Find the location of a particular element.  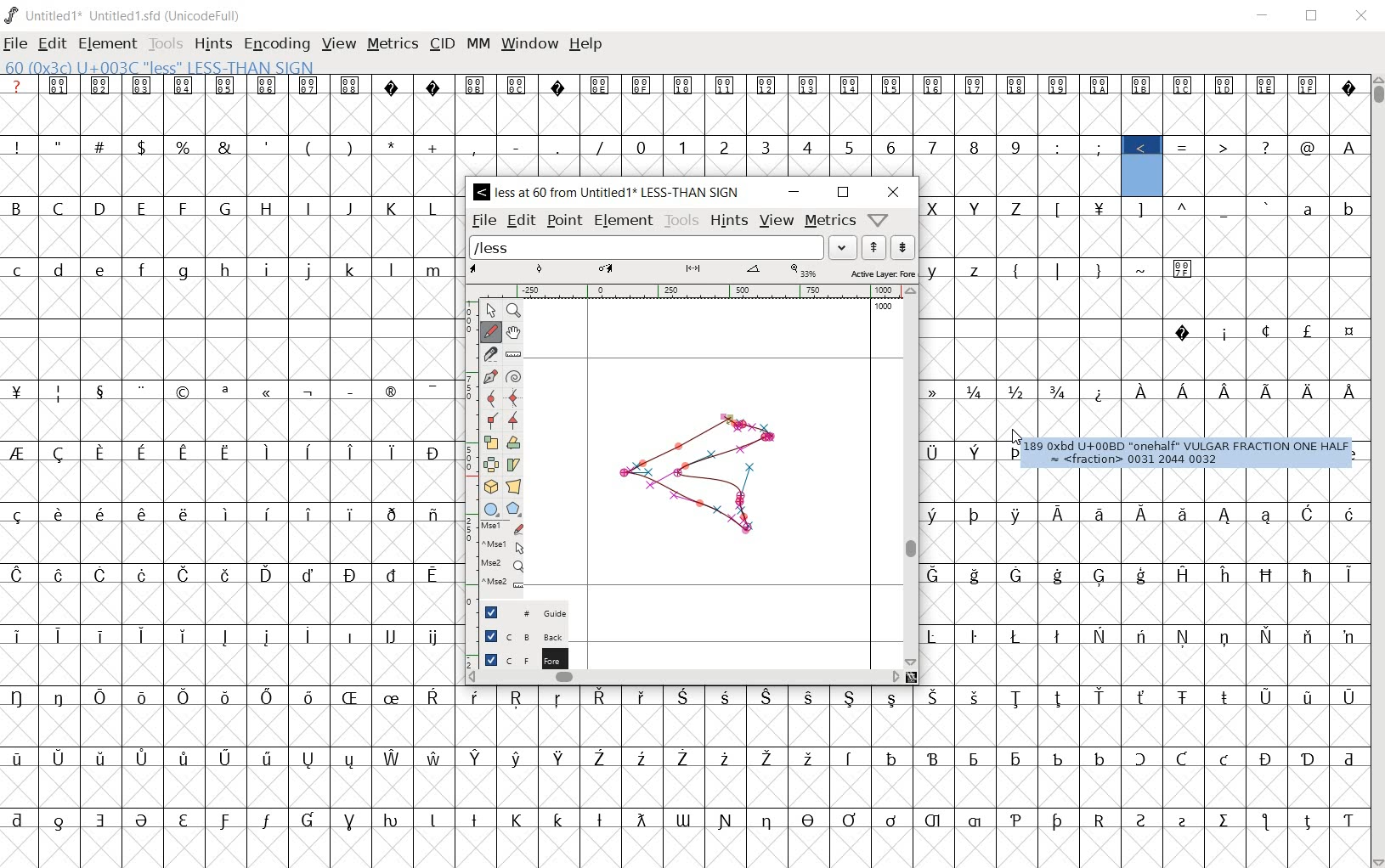

symbols is located at coordinates (309, 146).